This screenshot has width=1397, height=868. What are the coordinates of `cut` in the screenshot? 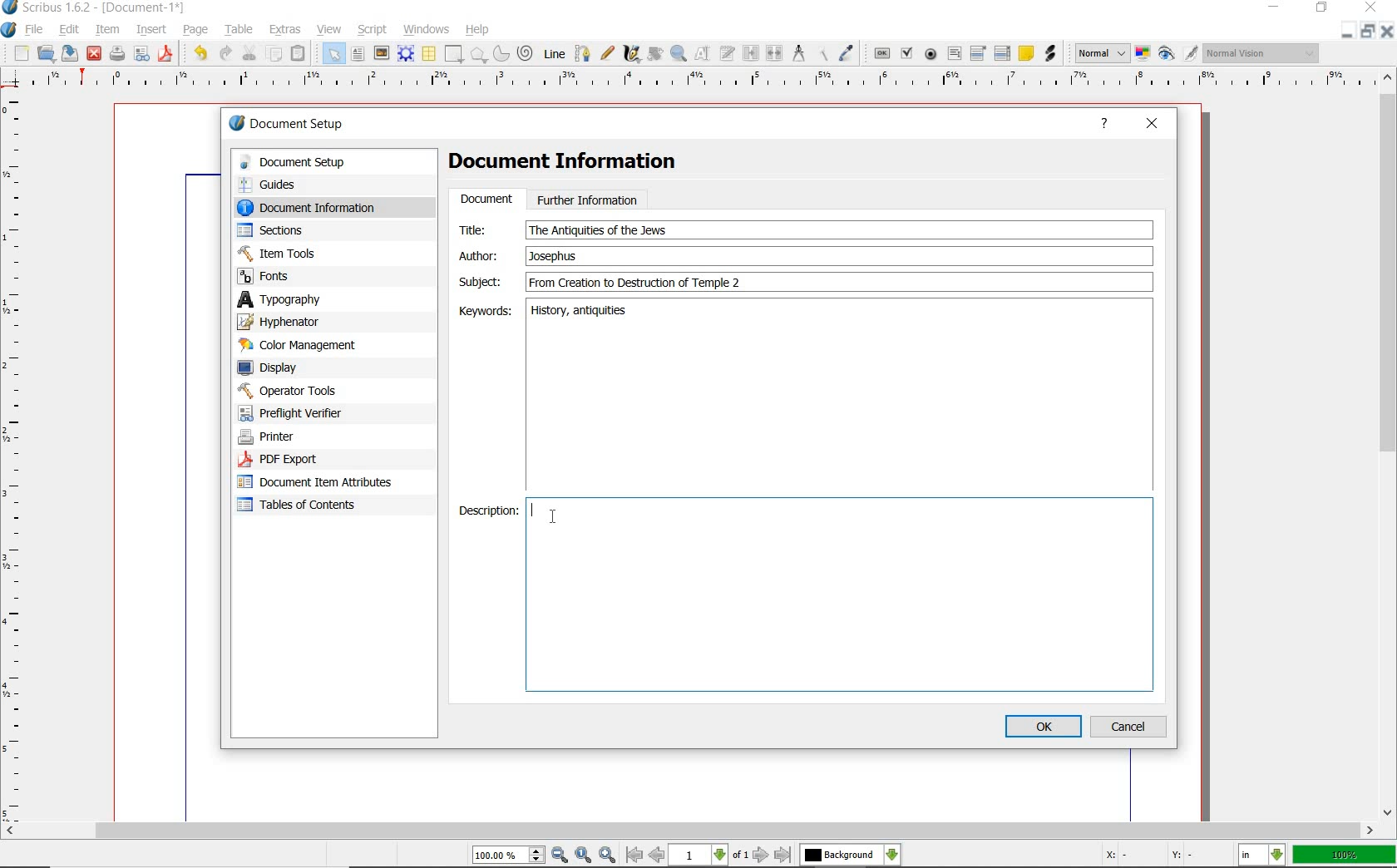 It's located at (250, 53).